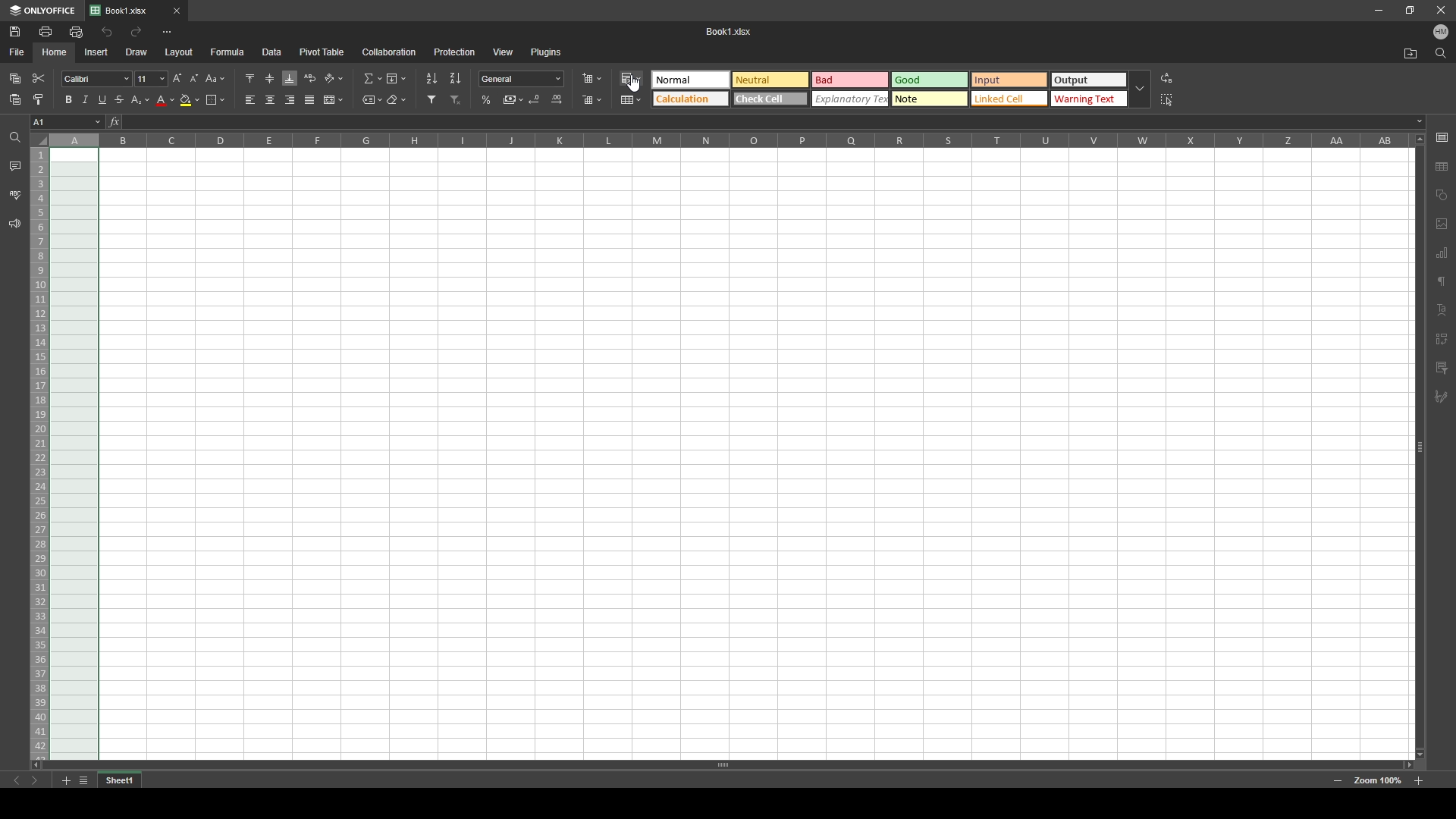 The height and width of the screenshot is (819, 1456). Describe the element at coordinates (728, 140) in the screenshot. I see `cell columns` at that location.